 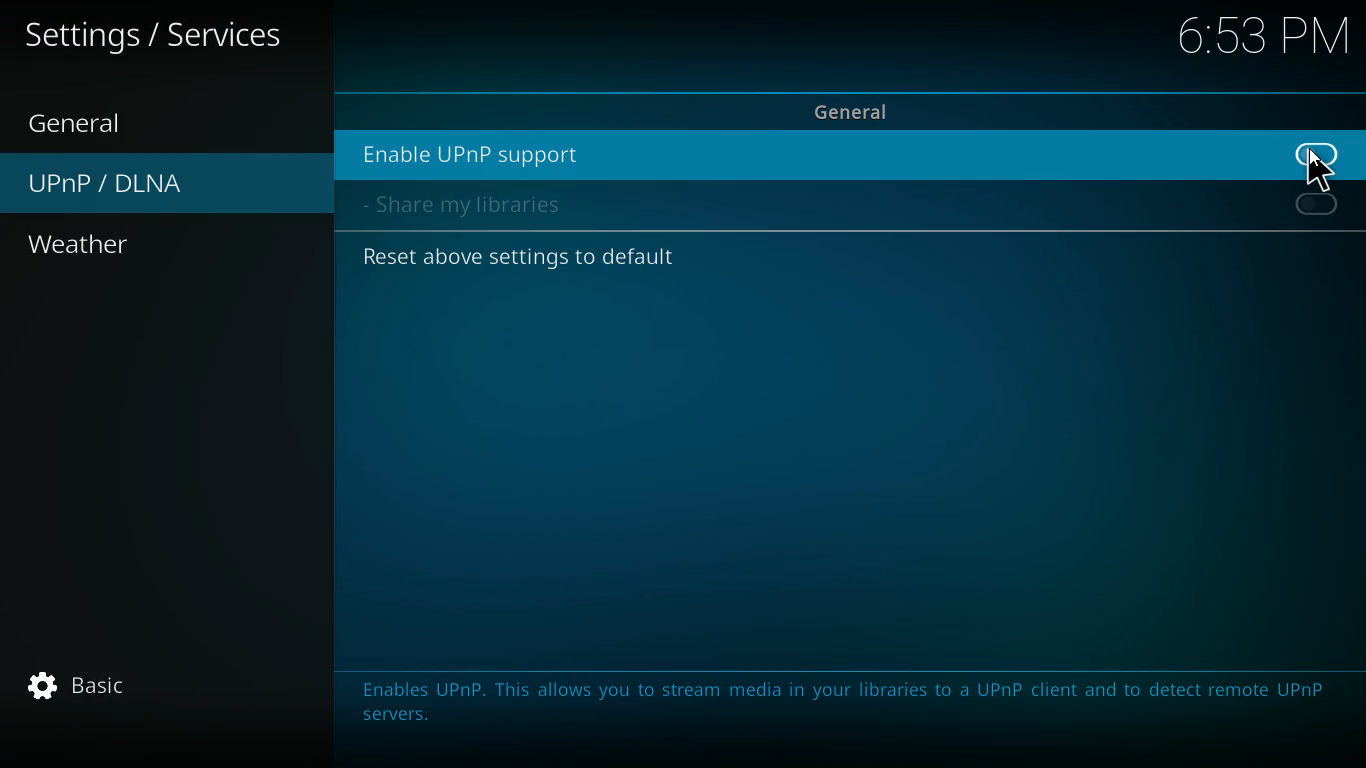 I want to click on settings / services, so click(x=168, y=35).